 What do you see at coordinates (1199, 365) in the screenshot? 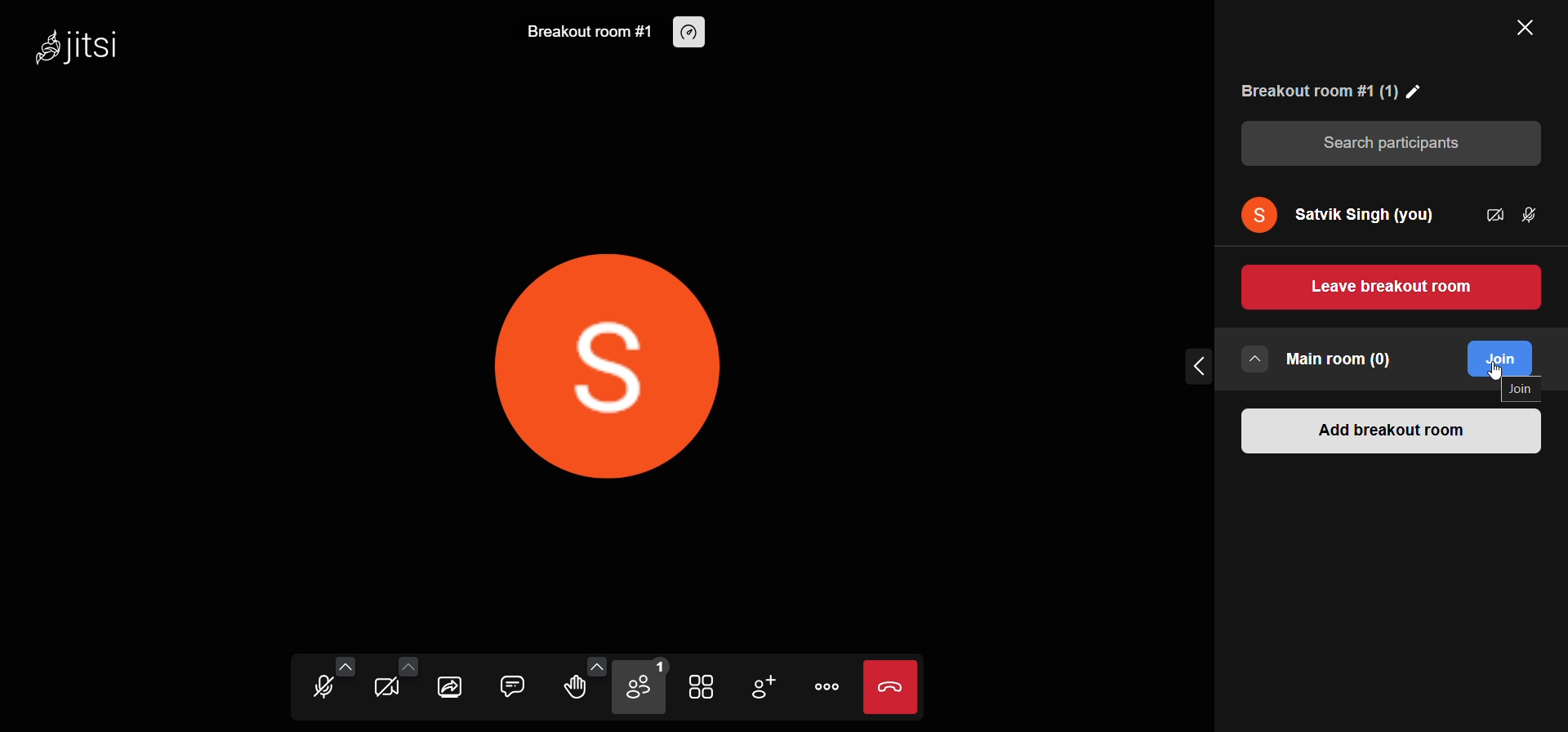
I see `collapse` at bounding box center [1199, 365].